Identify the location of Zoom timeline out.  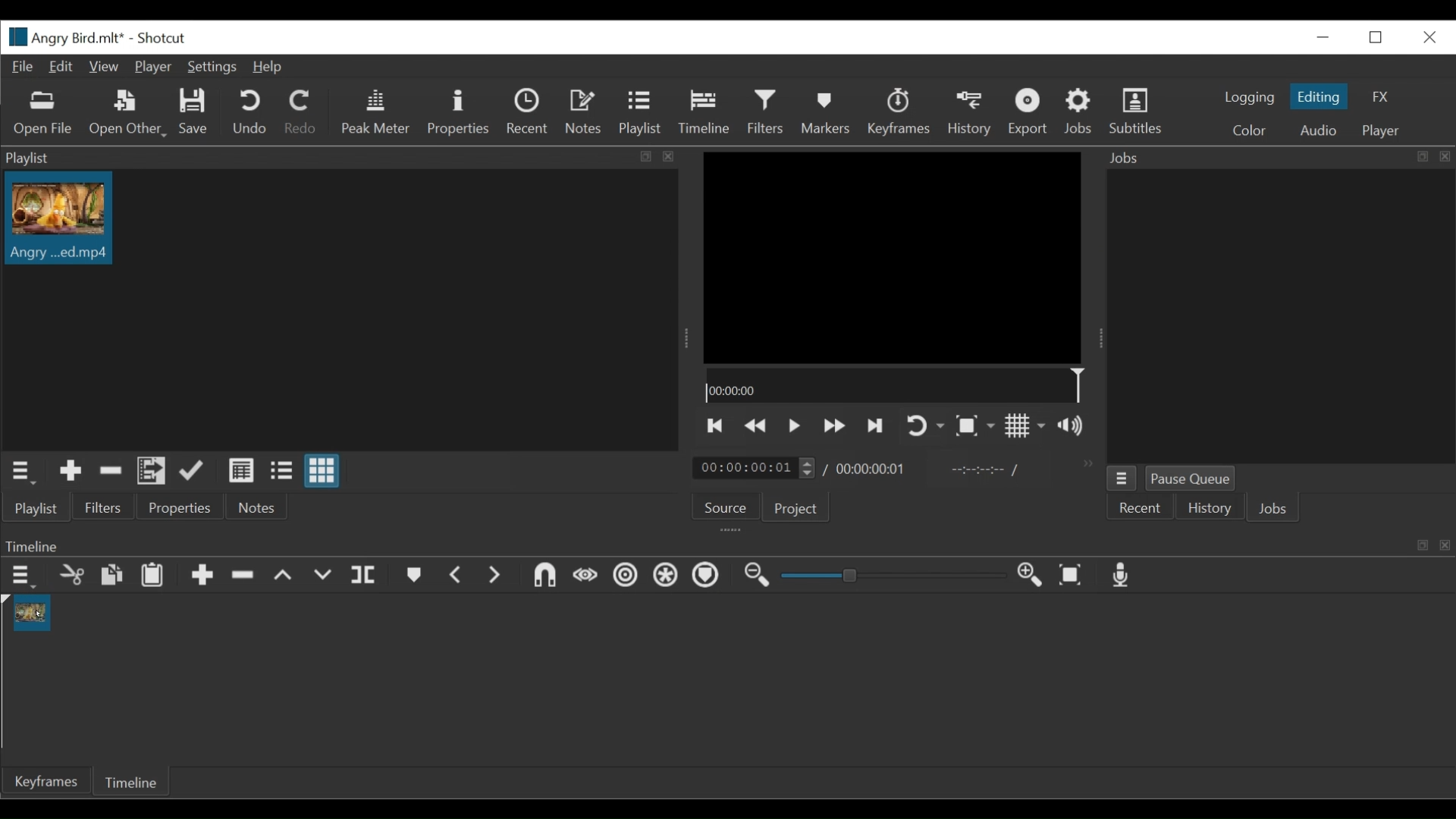
(758, 576).